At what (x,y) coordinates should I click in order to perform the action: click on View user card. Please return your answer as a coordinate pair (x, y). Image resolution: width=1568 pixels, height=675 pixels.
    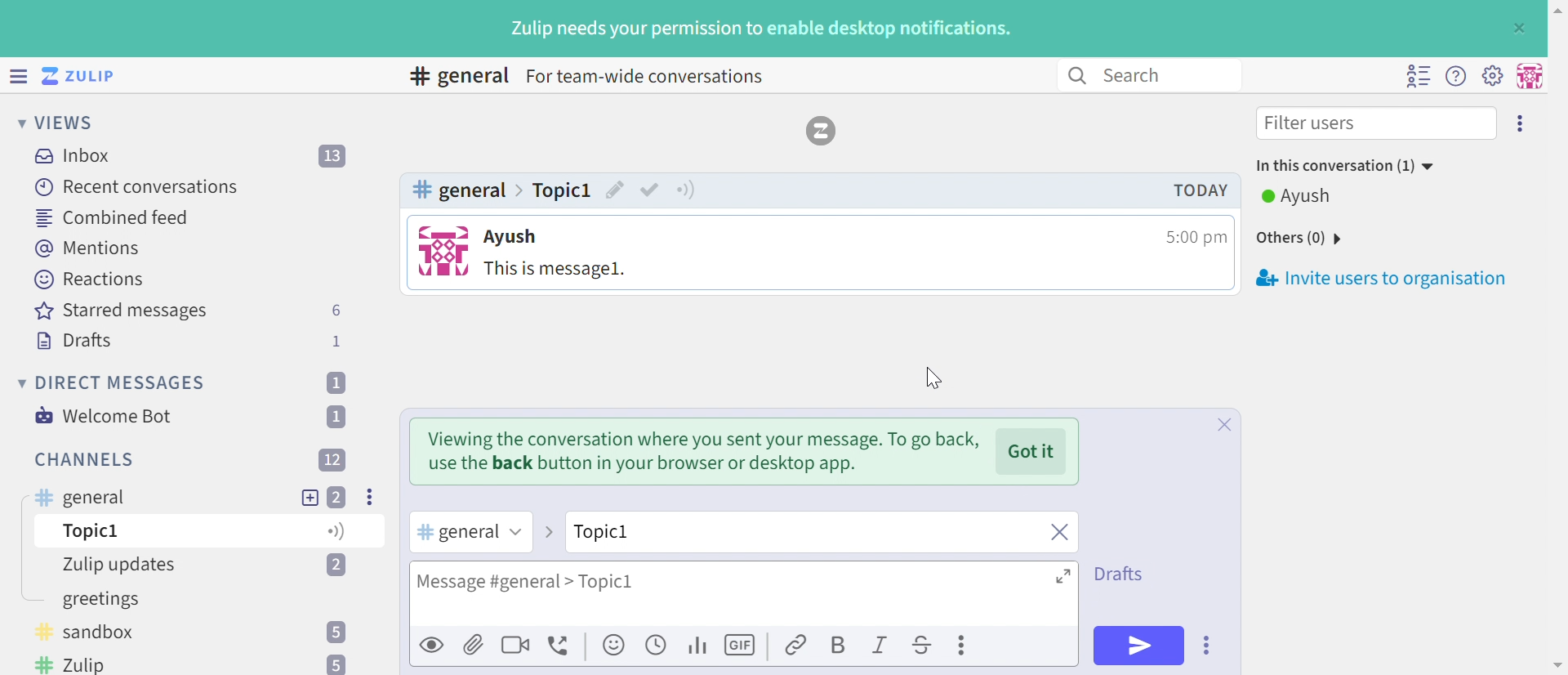
    Looking at the image, I should click on (443, 252).